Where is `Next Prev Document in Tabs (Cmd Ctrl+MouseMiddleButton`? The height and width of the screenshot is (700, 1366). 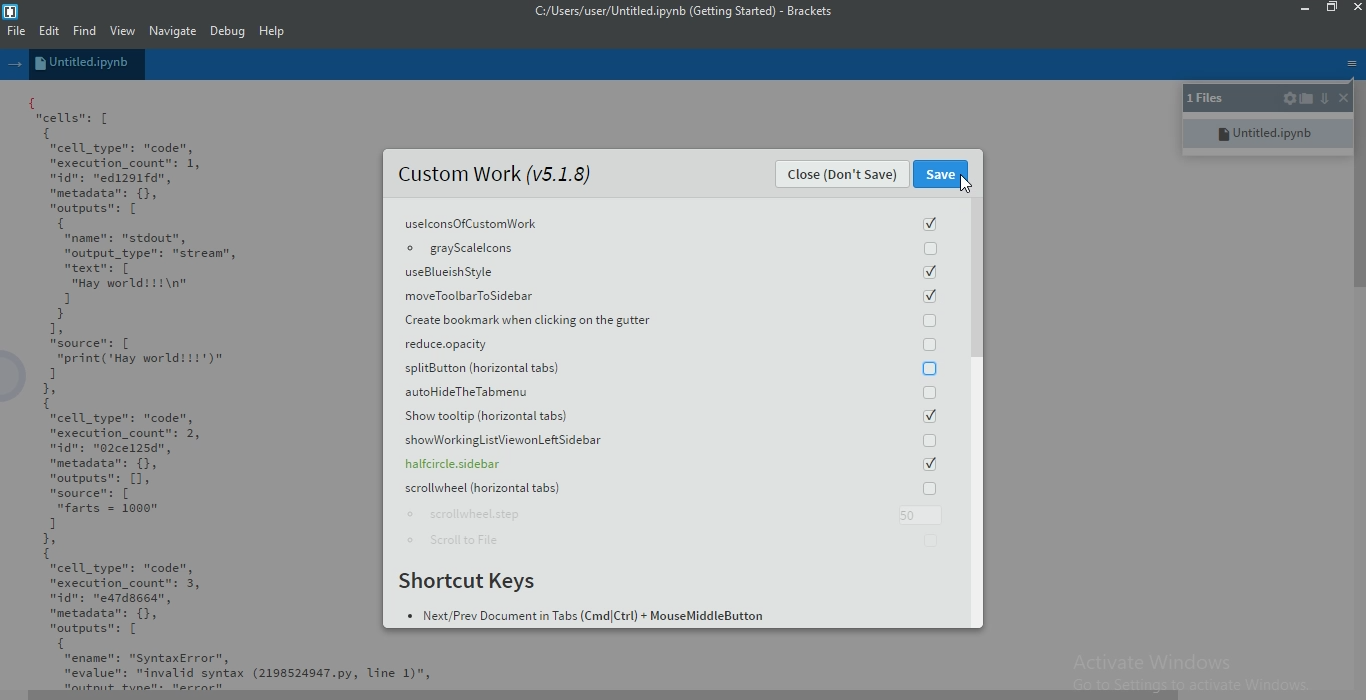 Next Prev Document in Tabs (Cmd Ctrl+MouseMiddleButton is located at coordinates (584, 614).